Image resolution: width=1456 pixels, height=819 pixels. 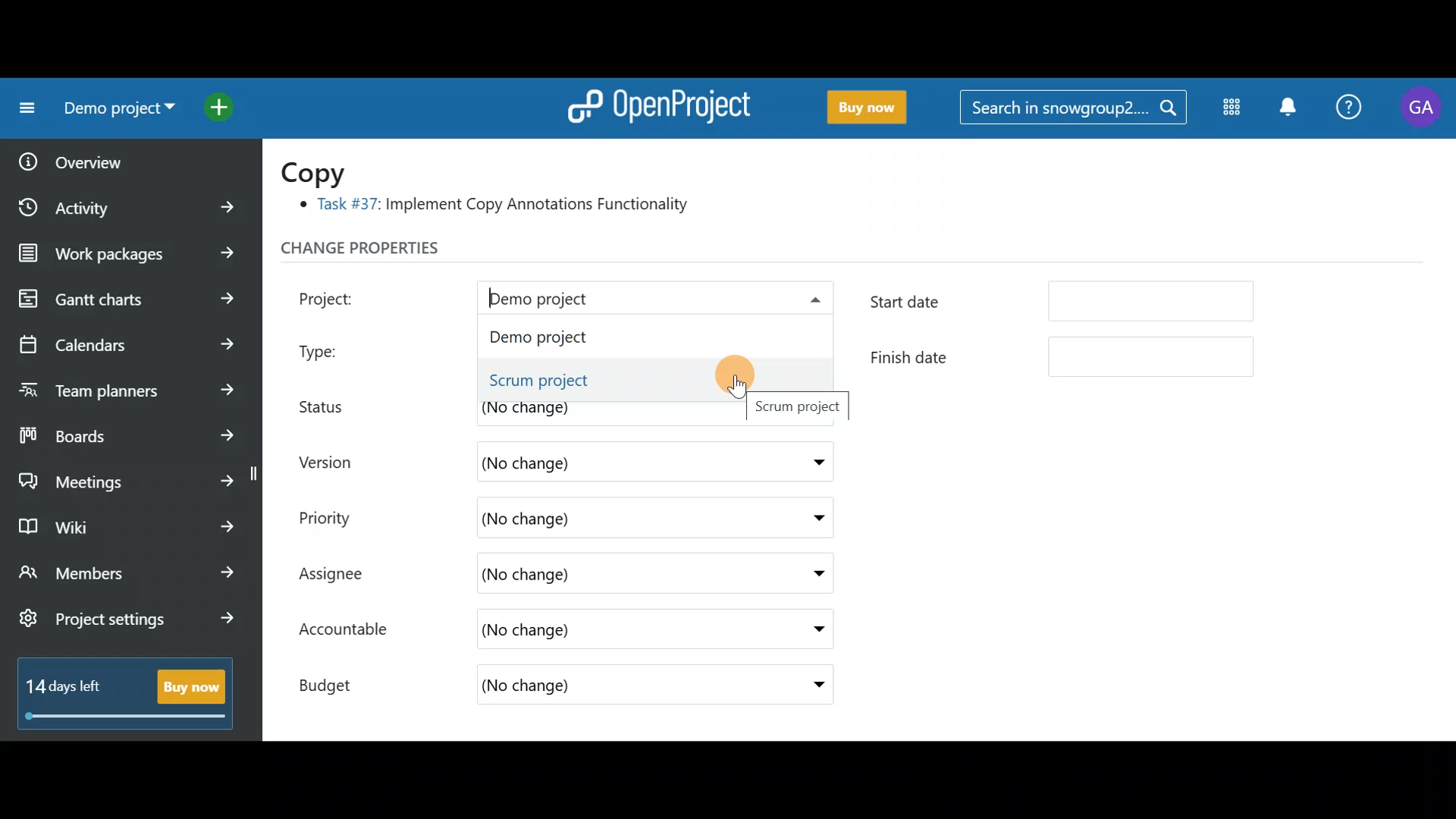 What do you see at coordinates (1421, 108) in the screenshot?
I see `Account name` at bounding box center [1421, 108].